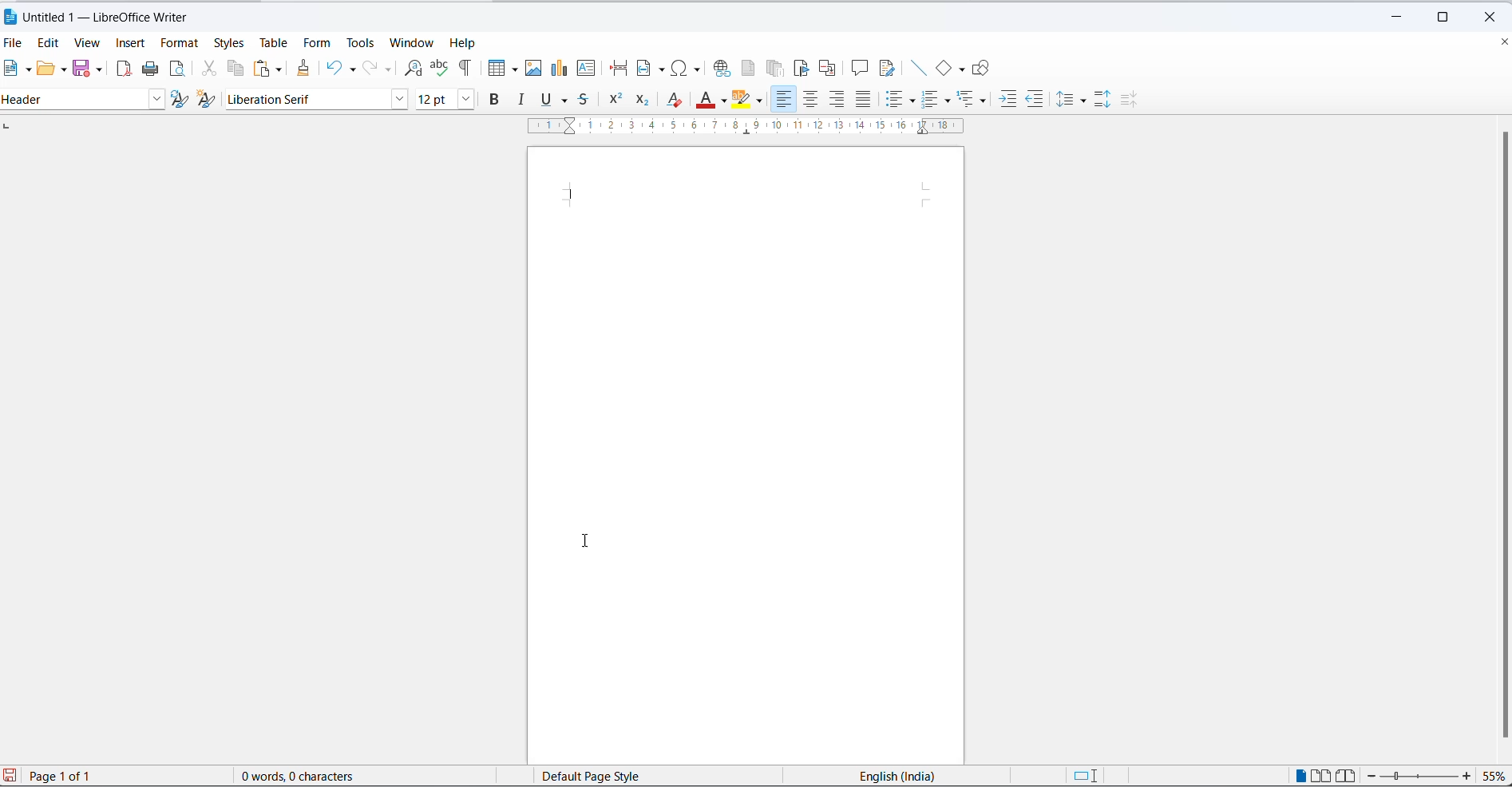 Image resolution: width=1512 pixels, height=787 pixels. Describe the element at coordinates (774, 69) in the screenshot. I see `insert endnote` at that location.